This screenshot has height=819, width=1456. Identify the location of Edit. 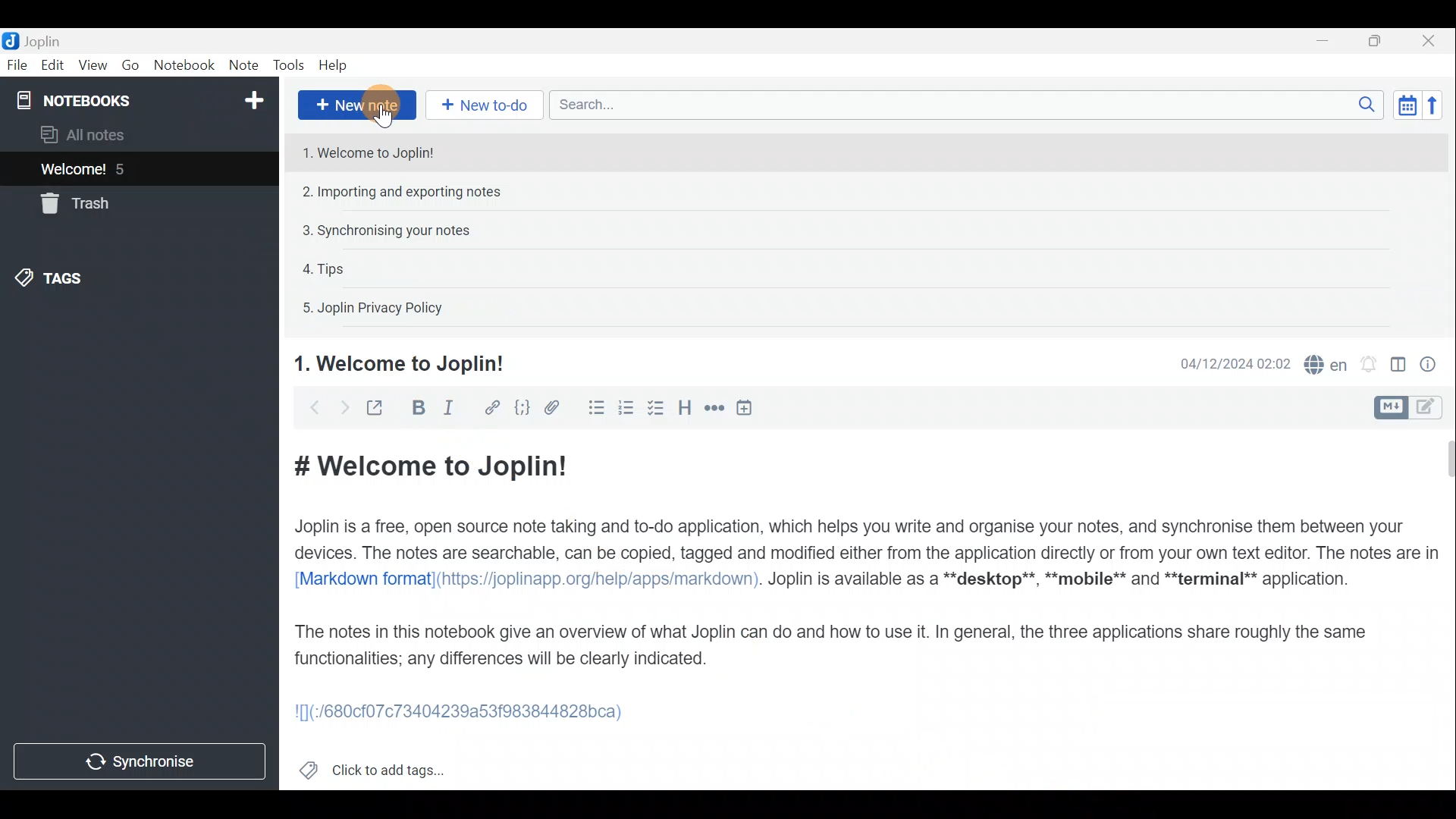
(53, 65).